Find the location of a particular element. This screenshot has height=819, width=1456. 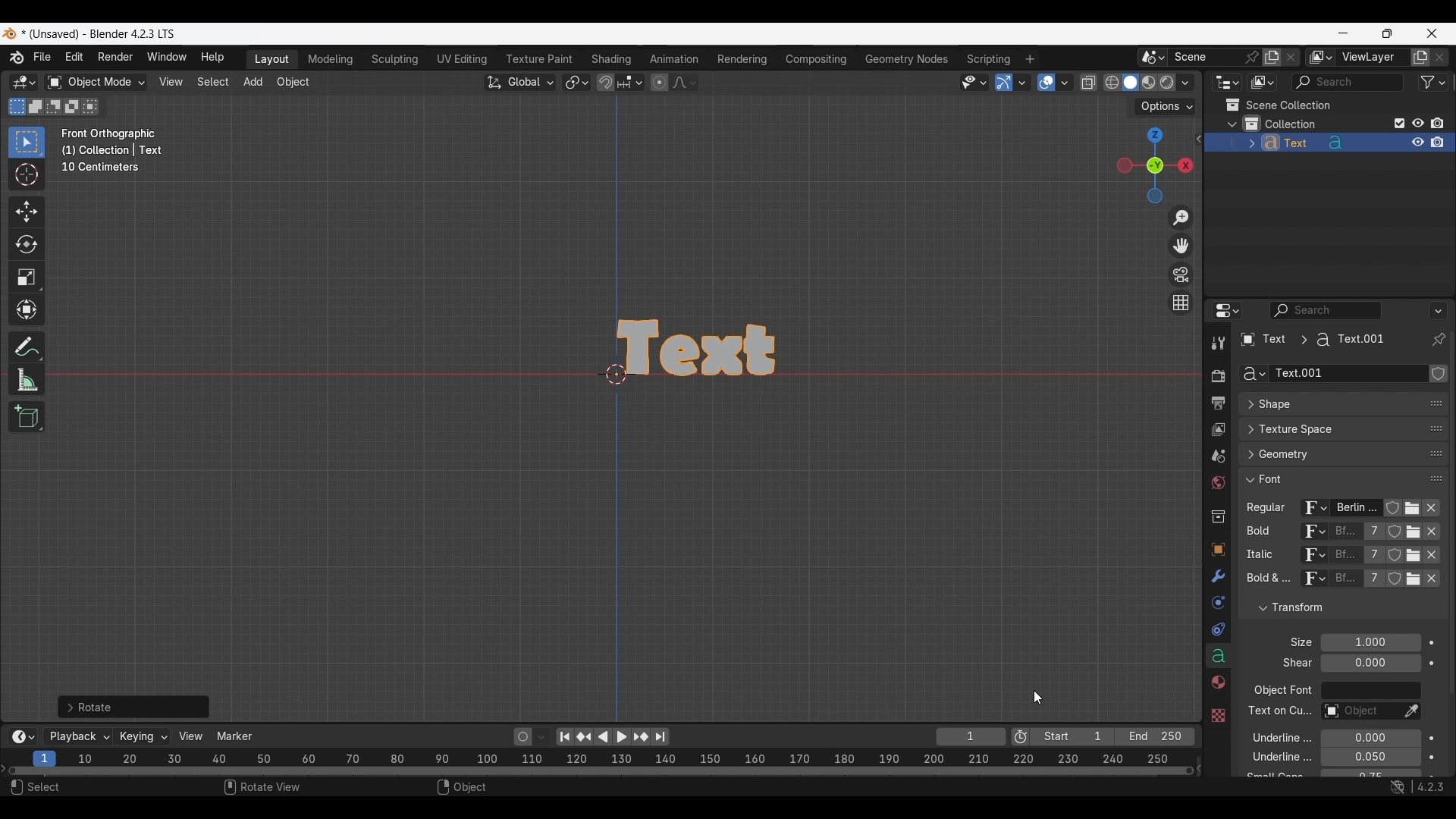

The active workspace view layer showing in the window is located at coordinates (1321, 57).